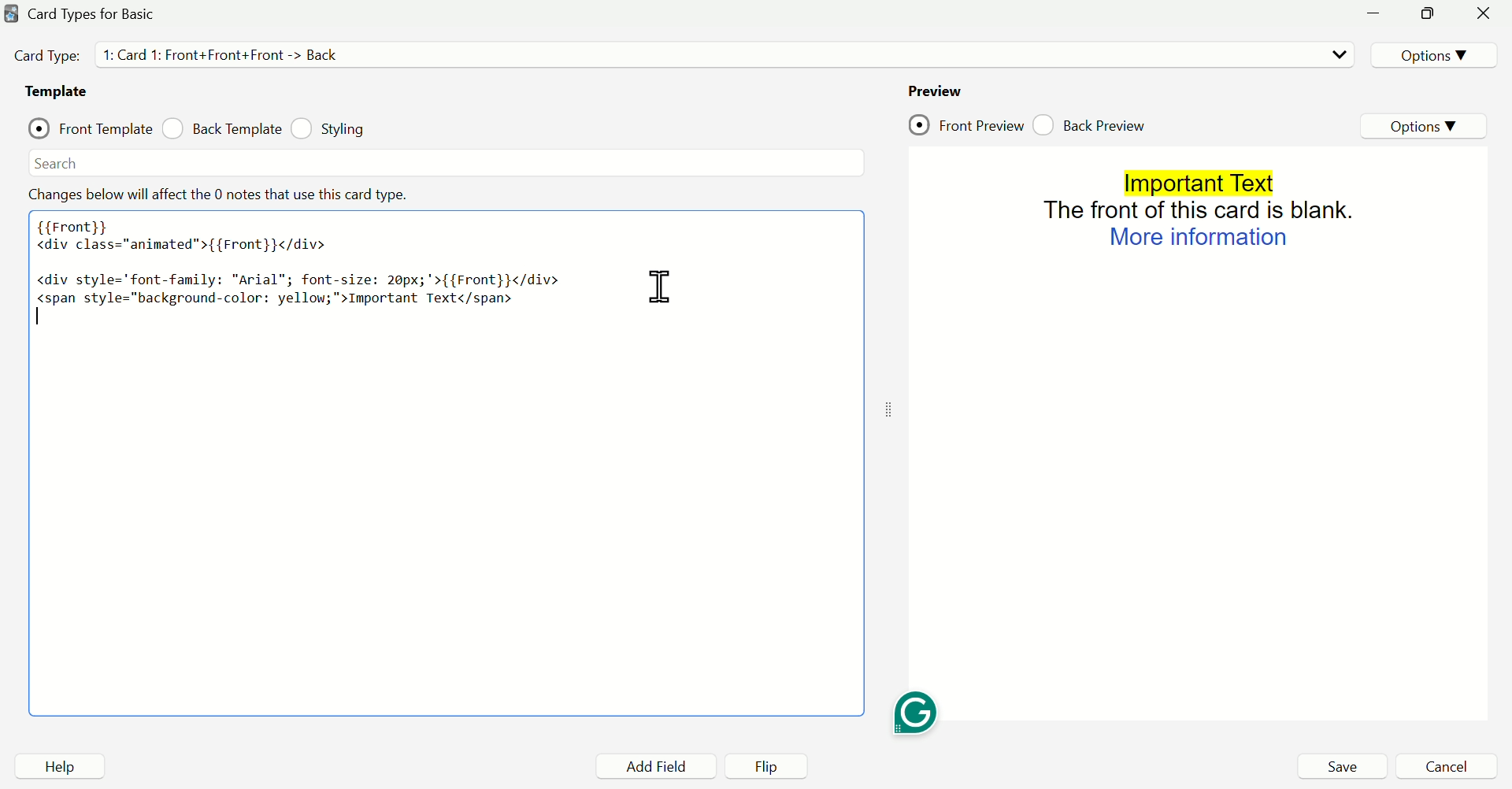 The width and height of the screenshot is (1512, 789). I want to click on Add Field, so click(647, 765).